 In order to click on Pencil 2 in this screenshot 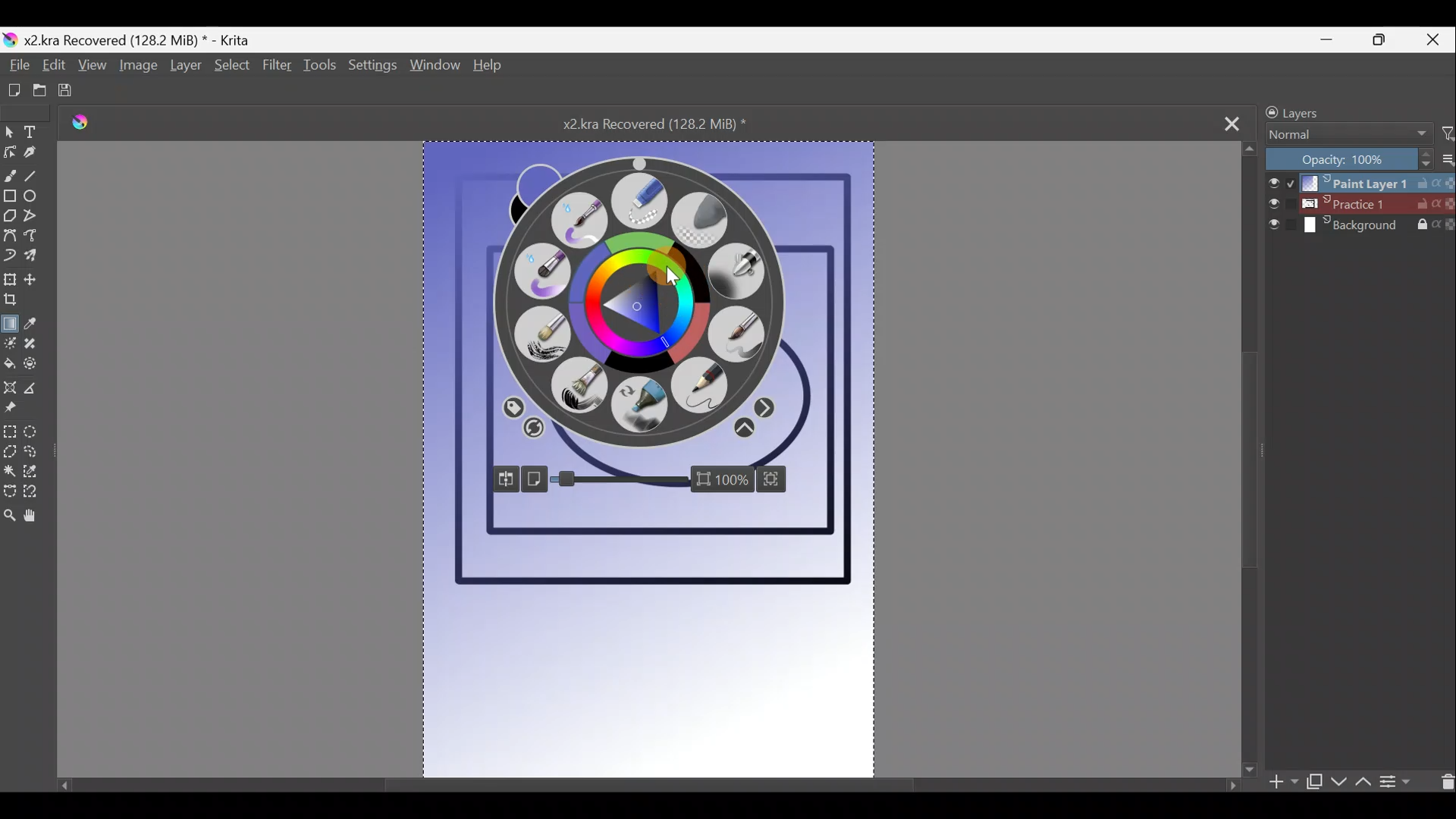, I will do `click(700, 391)`.